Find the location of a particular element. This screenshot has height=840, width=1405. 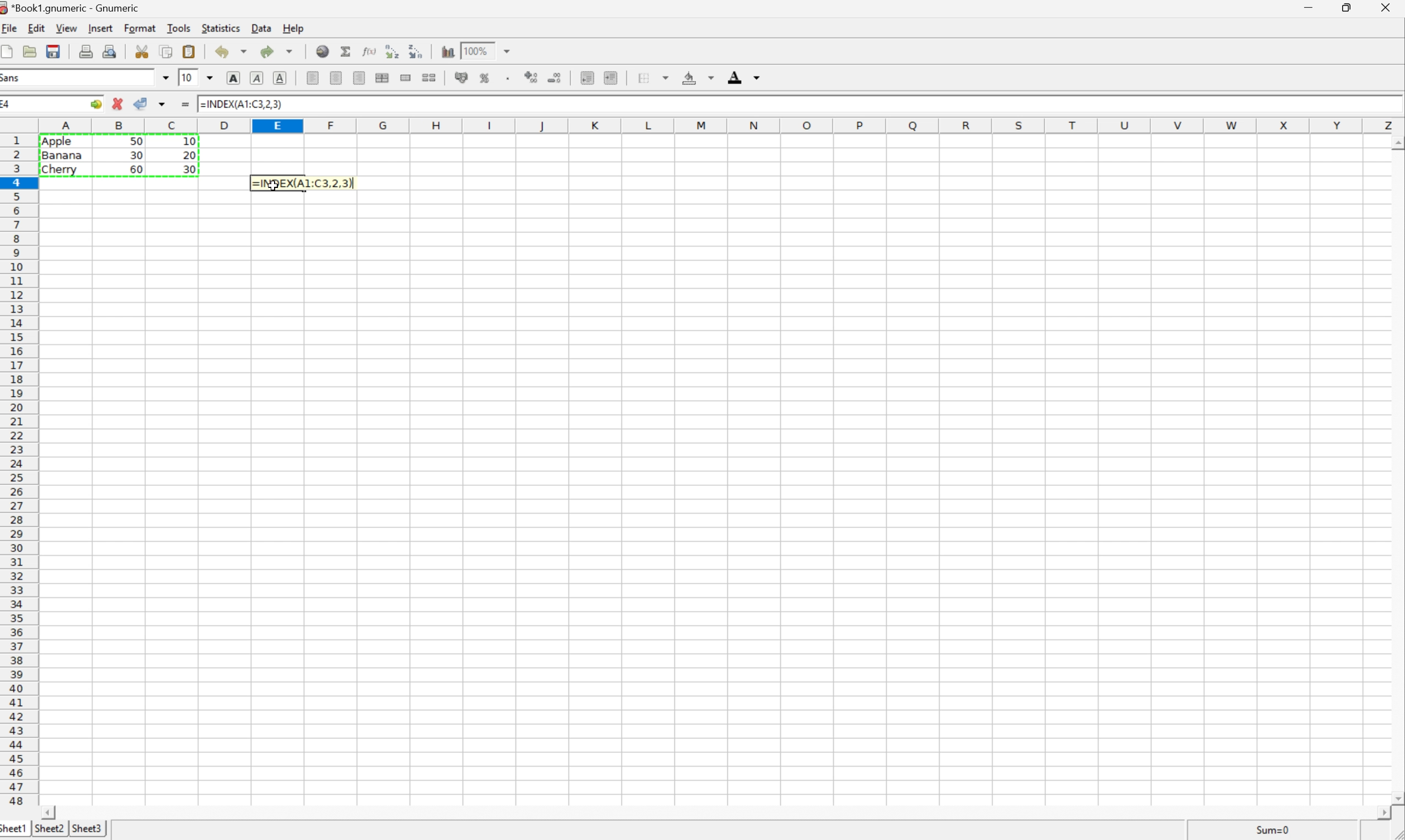

format selection as accounting is located at coordinates (462, 78).